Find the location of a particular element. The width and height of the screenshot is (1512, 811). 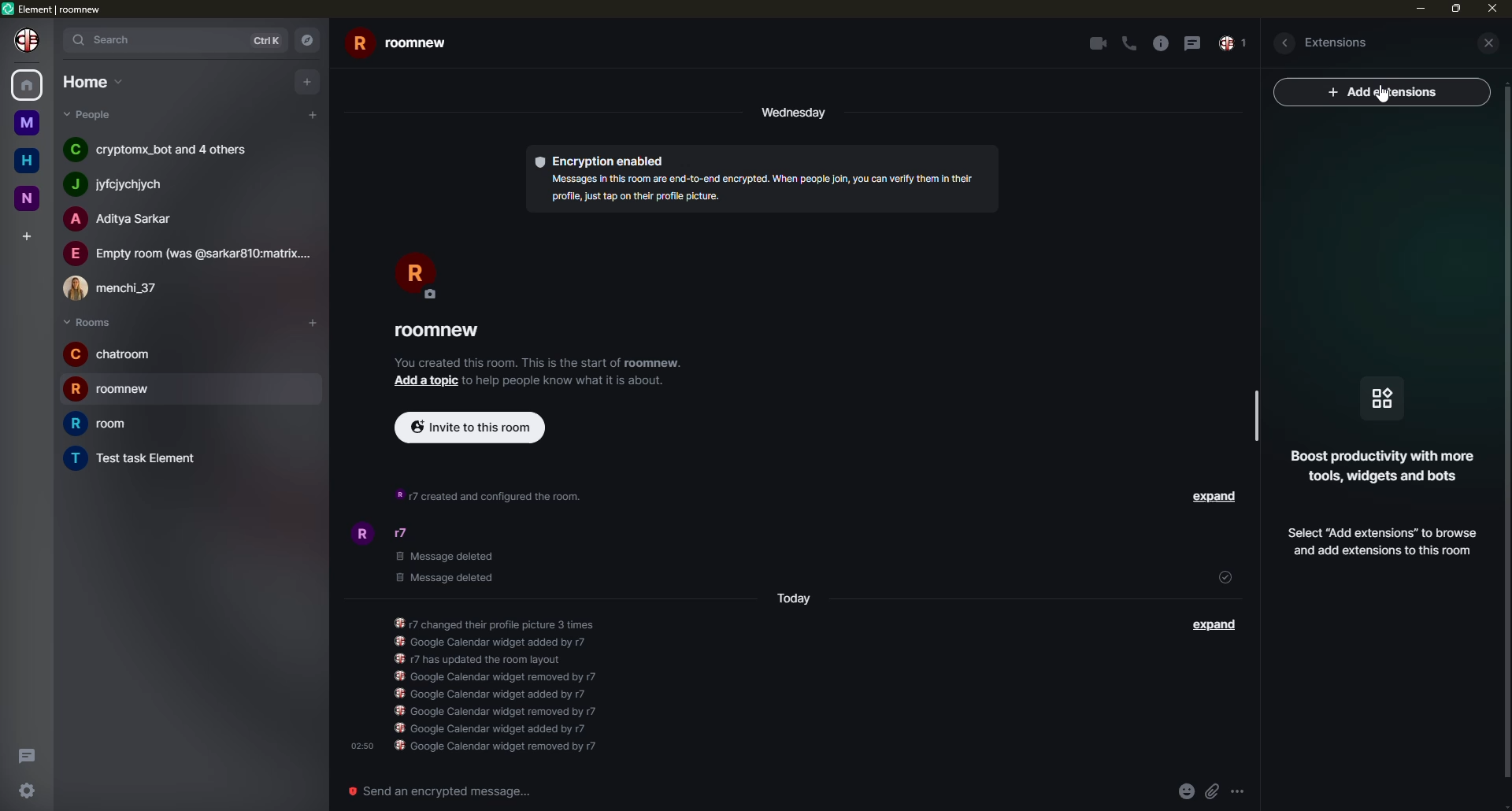

time is located at coordinates (359, 745).